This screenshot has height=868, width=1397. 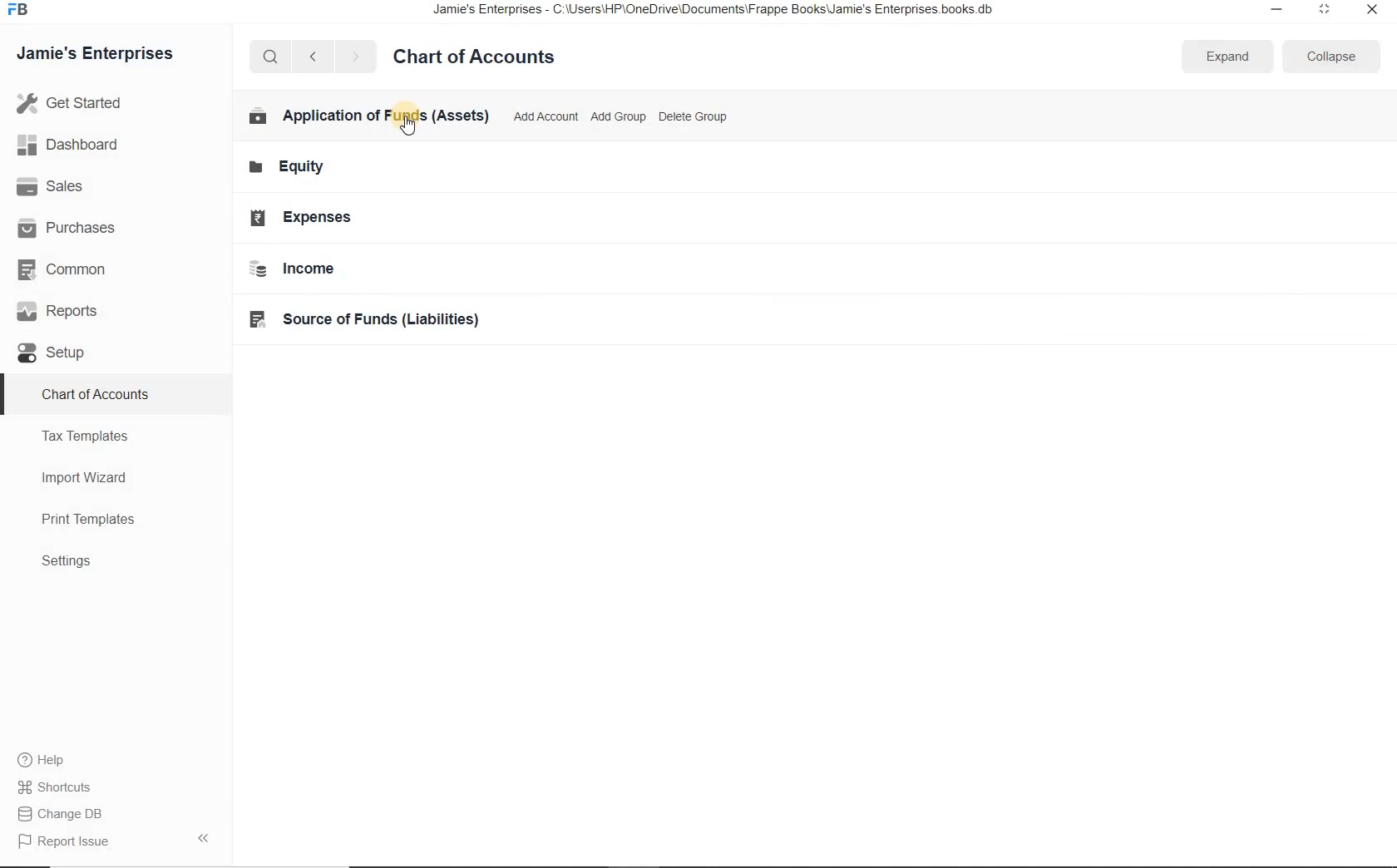 I want to click on Application of Funds (Assets), so click(x=368, y=115).